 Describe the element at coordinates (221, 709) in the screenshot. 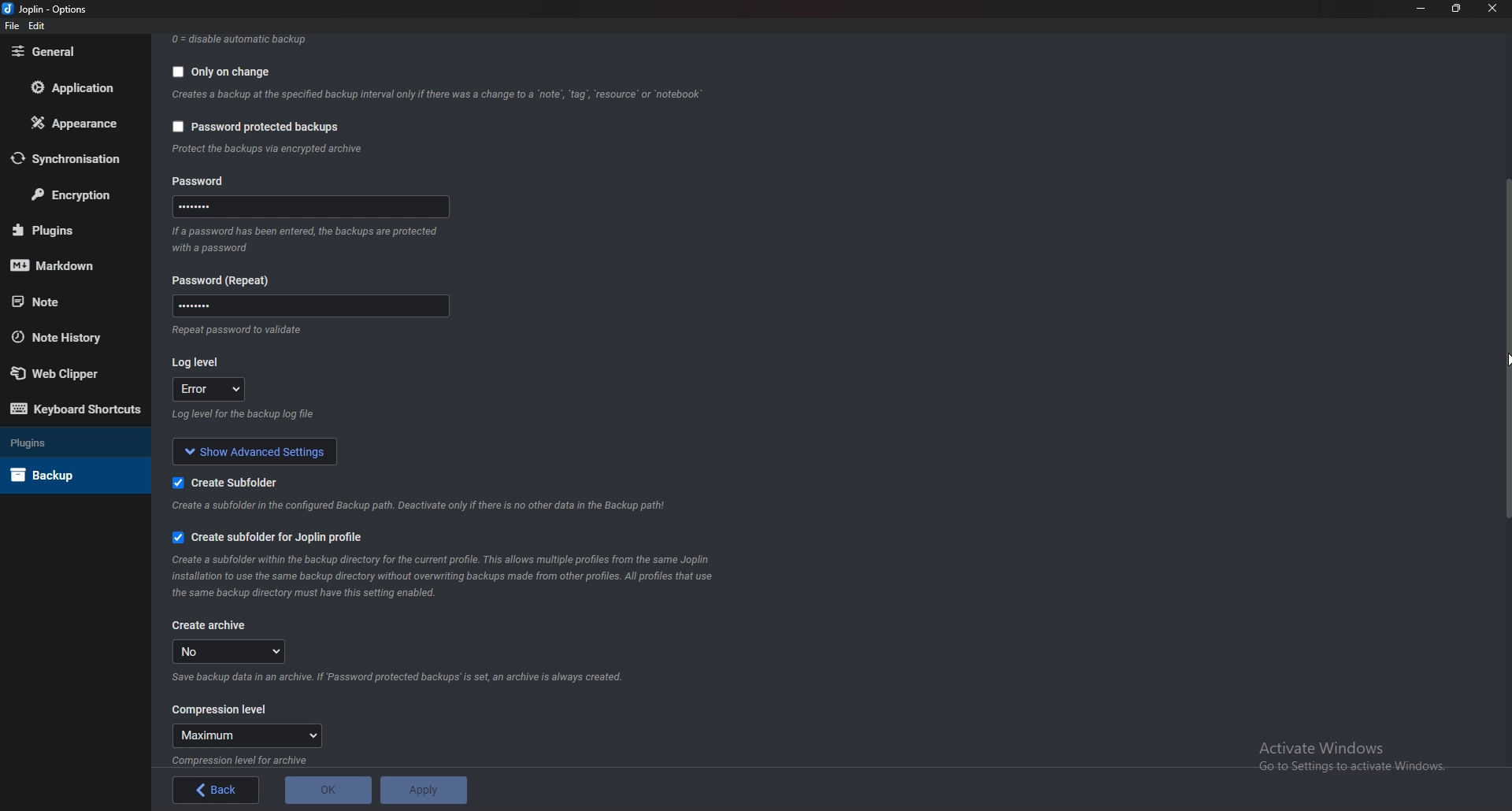

I see `Compression level` at that location.